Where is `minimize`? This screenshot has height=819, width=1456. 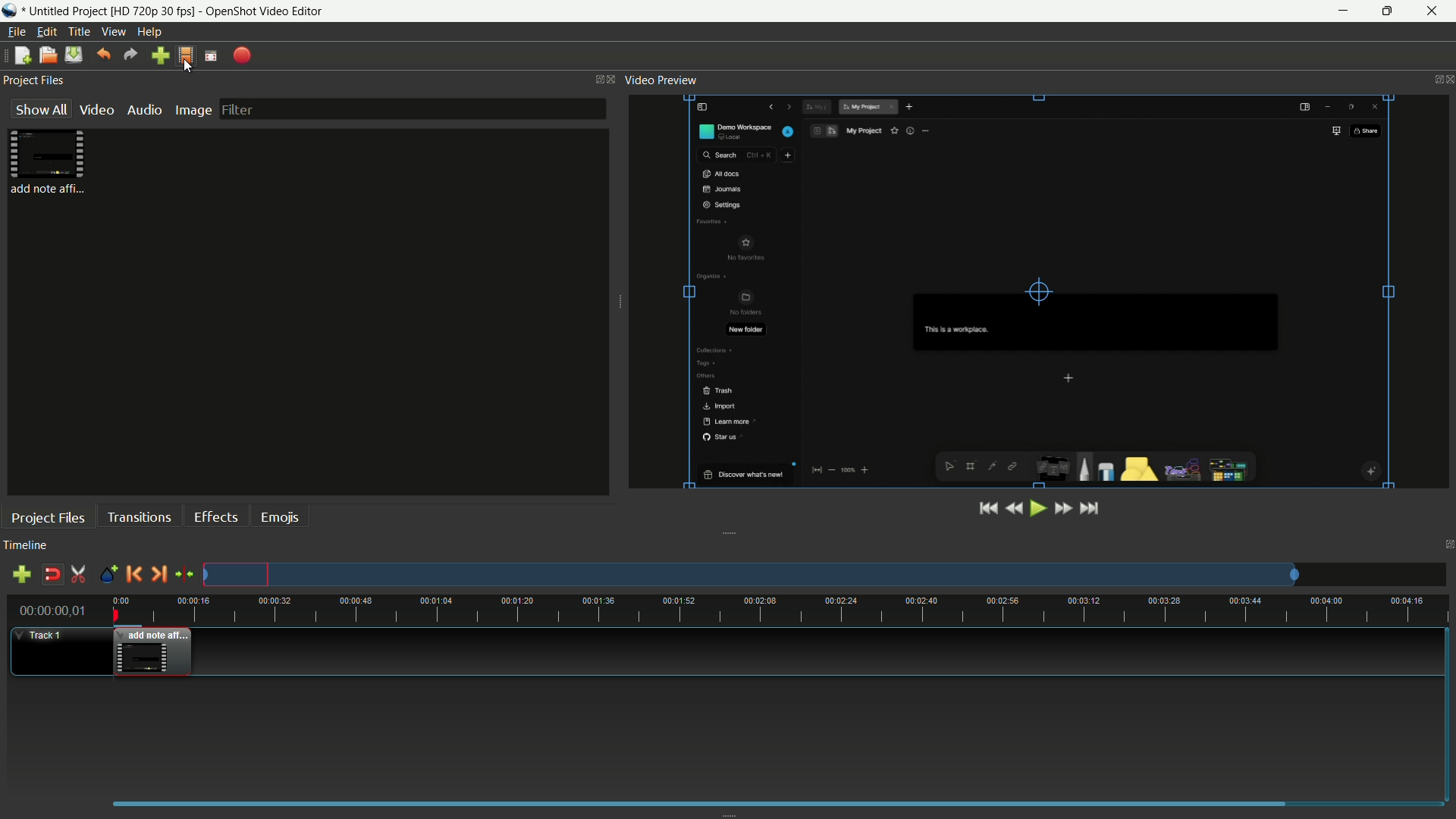
minimize is located at coordinates (1341, 11).